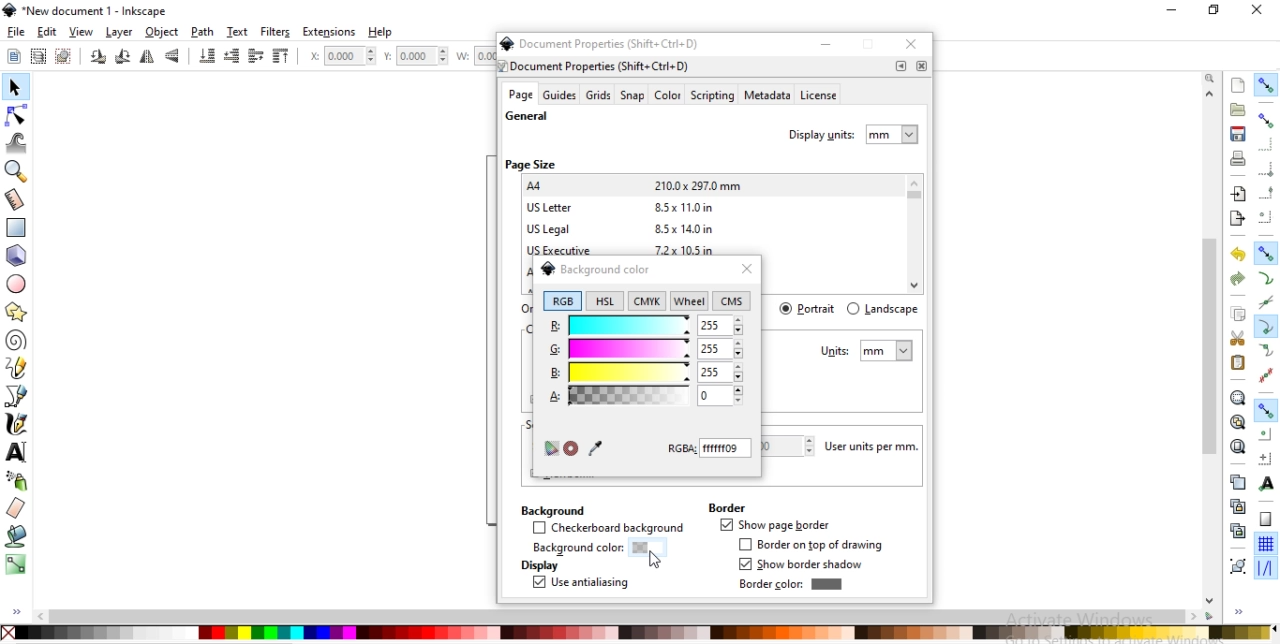 This screenshot has height=644, width=1280. I want to click on color, so click(667, 97).